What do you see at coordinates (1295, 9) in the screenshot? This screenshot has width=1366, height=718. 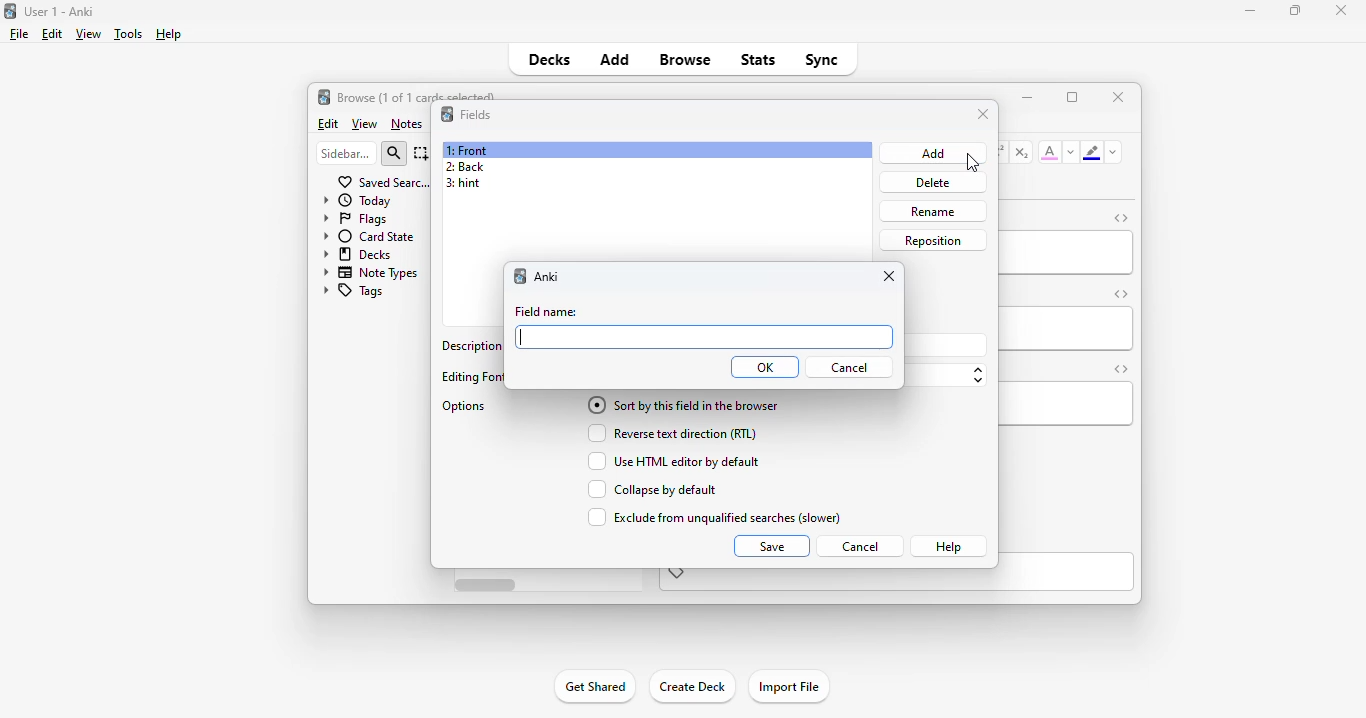 I see `maximize` at bounding box center [1295, 9].